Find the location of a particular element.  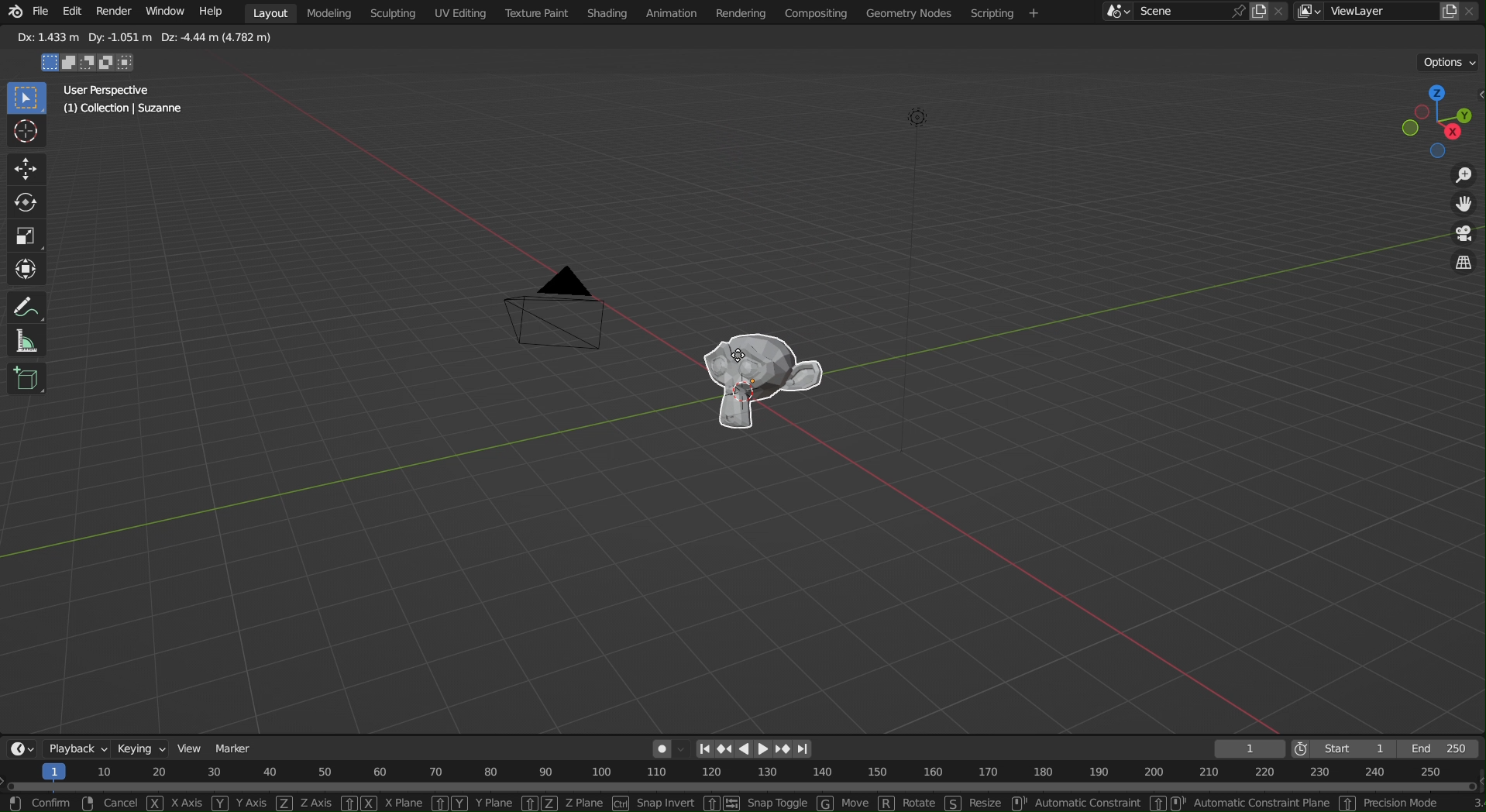

set a new selection is located at coordinates (50, 63).